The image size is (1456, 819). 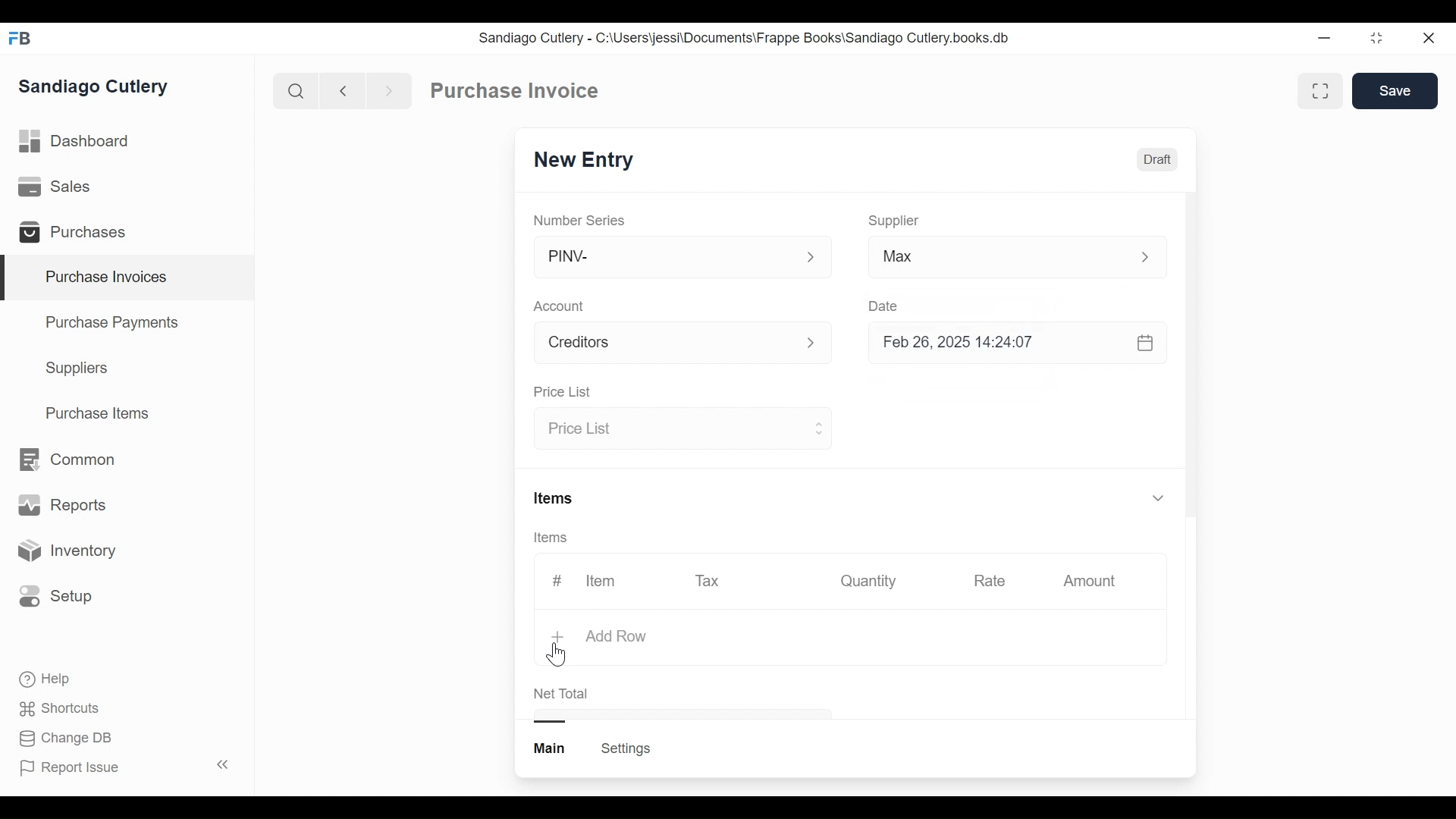 What do you see at coordinates (124, 767) in the screenshot?
I see `Report Issue` at bounding box center [124, 767].